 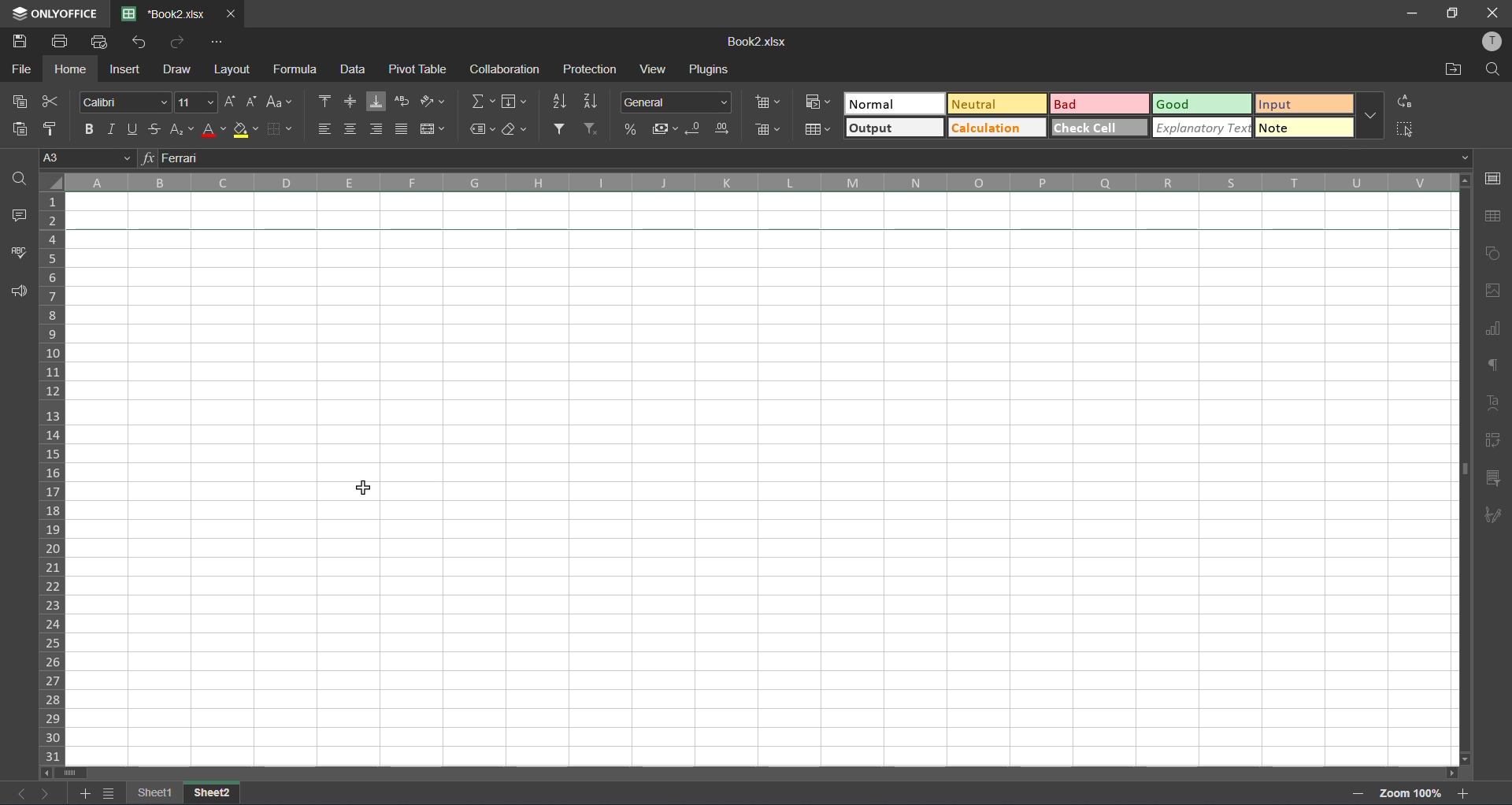 I want to click on close, so click(x=231, y=14).